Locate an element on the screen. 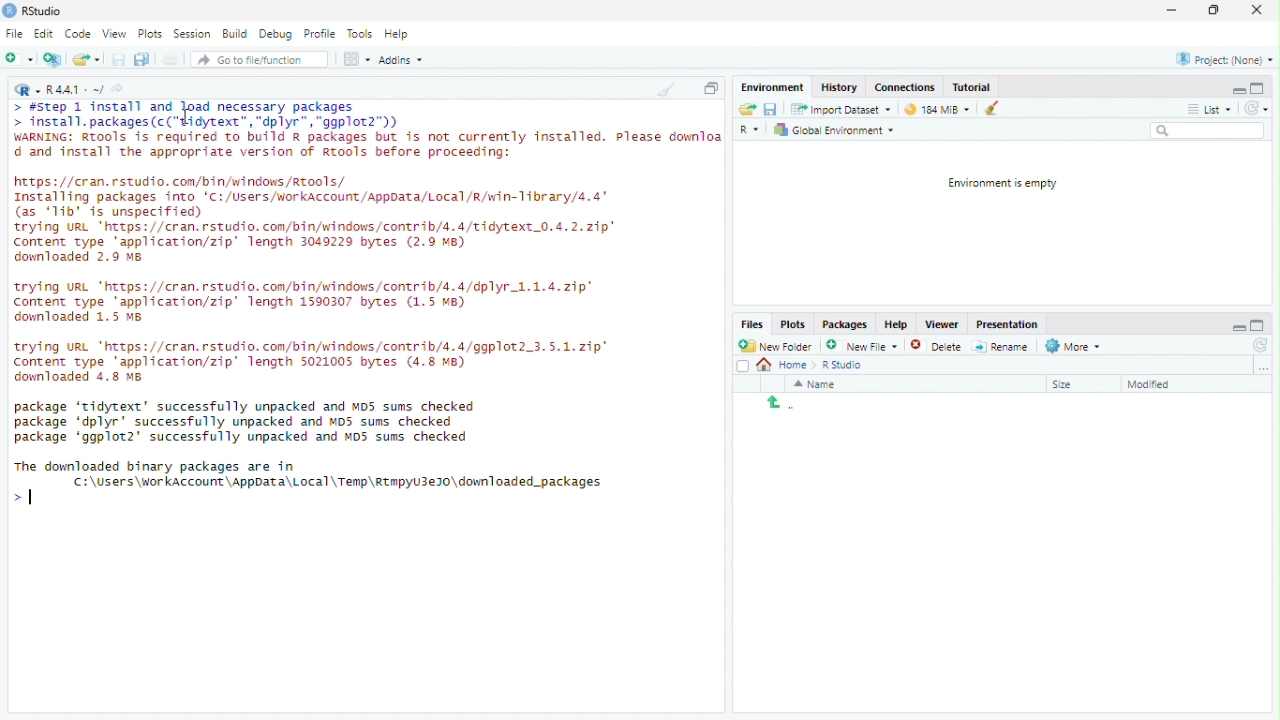 This screenshot has width=1280, height=720. Refresh  is located at coordinates (1256, 108).